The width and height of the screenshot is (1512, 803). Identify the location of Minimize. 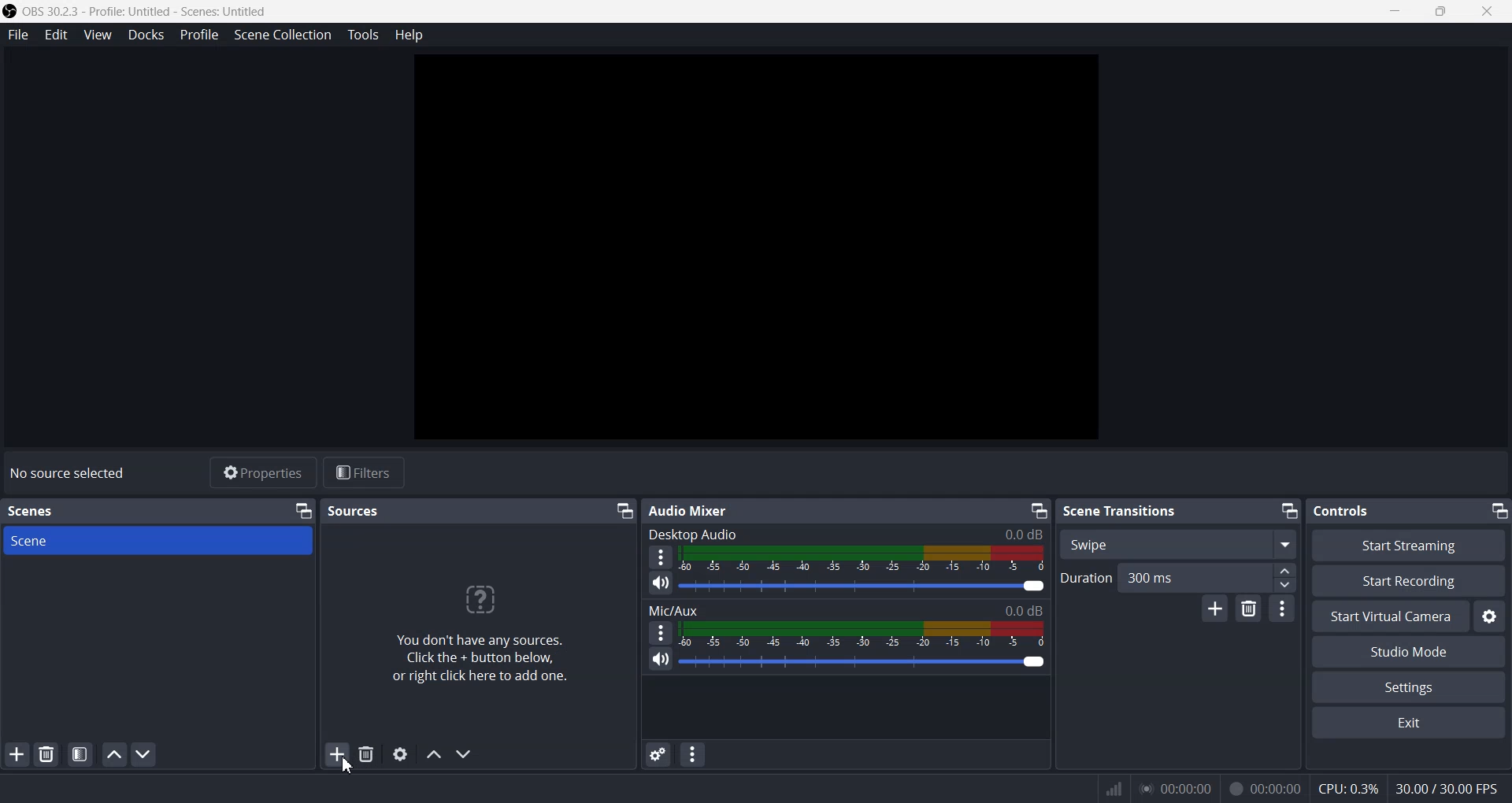
(1398, 12).